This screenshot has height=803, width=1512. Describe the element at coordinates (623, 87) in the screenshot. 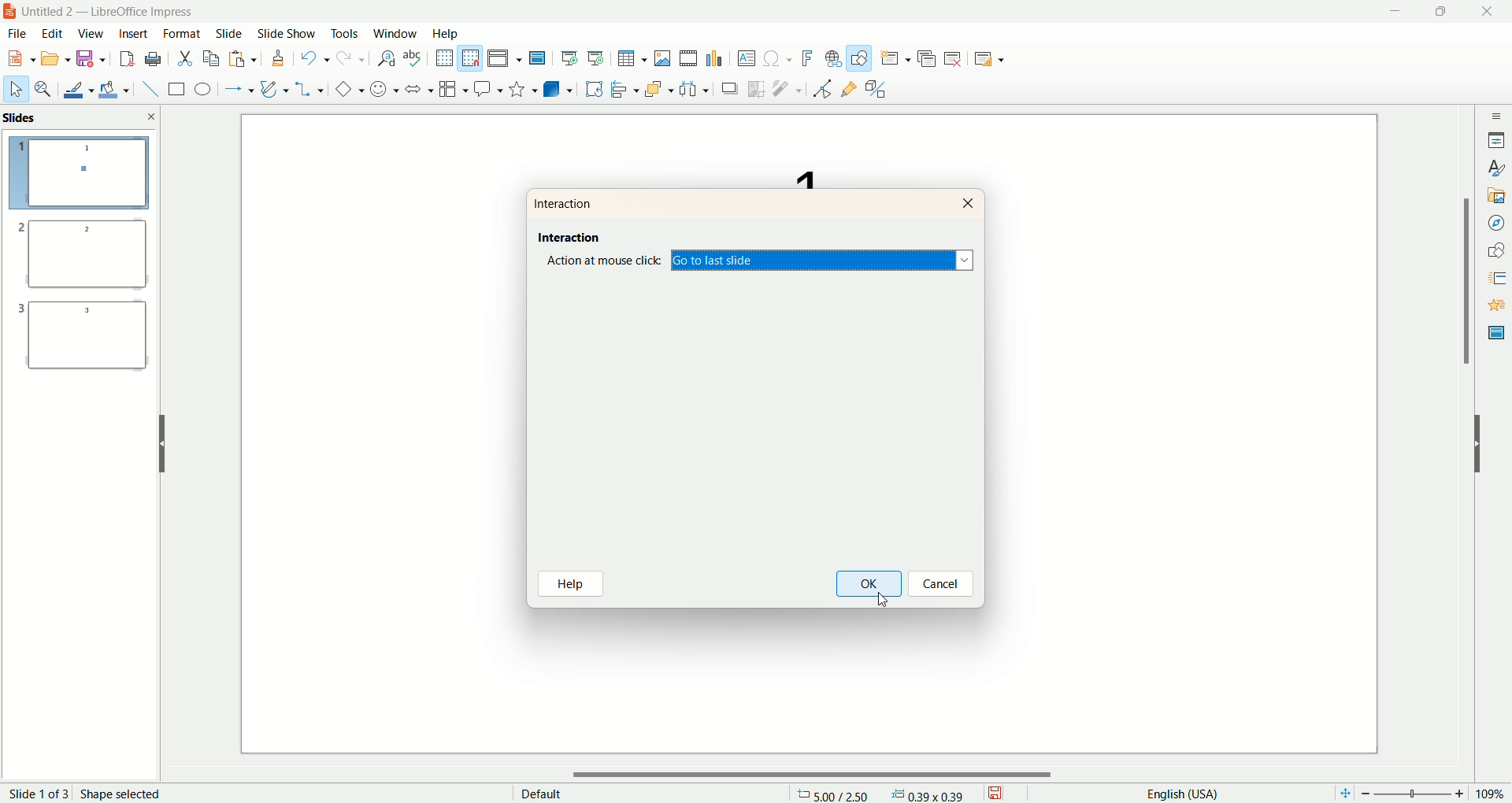

I see `align` at that location.